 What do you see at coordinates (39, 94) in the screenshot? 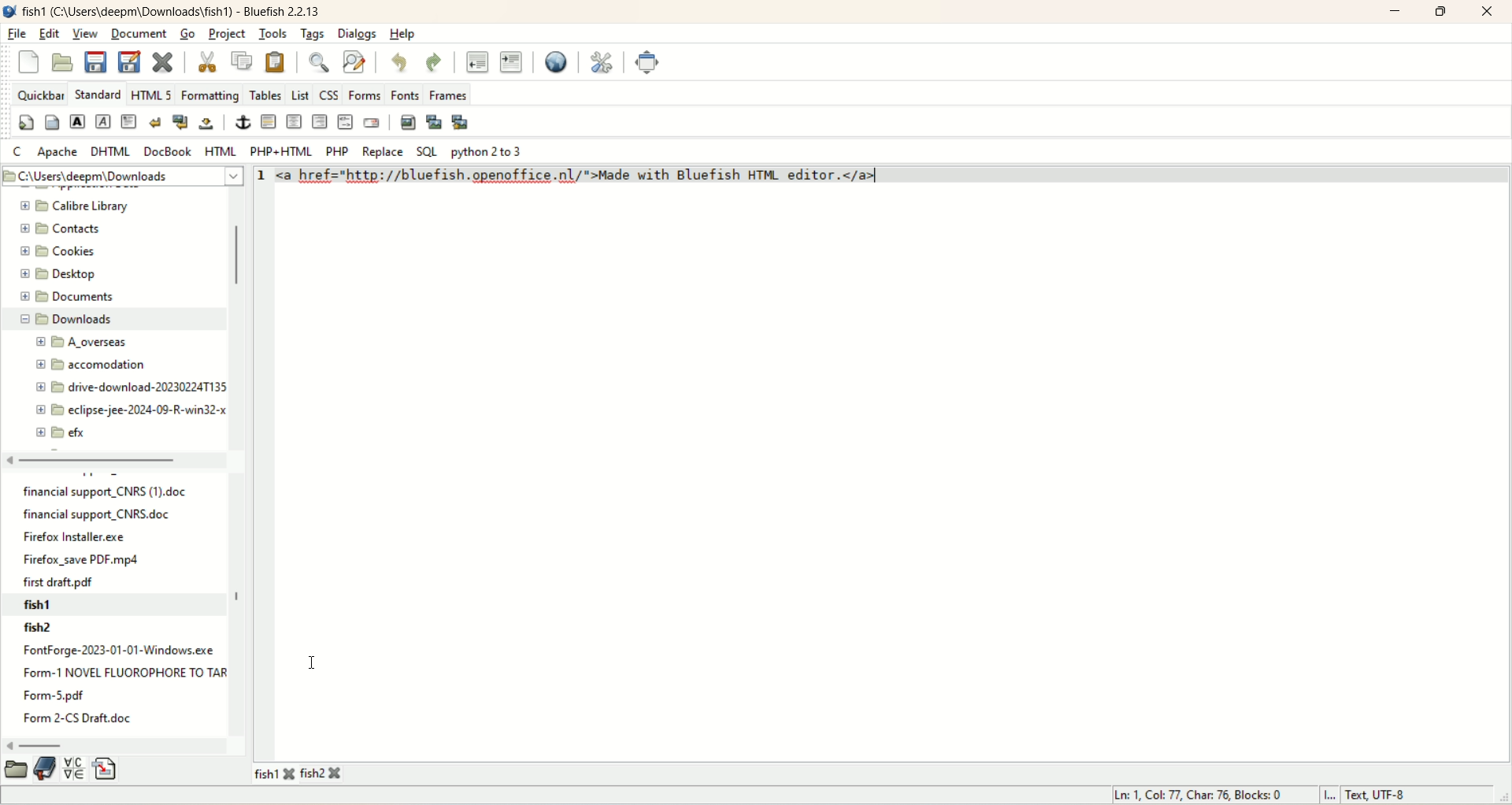
I see `quickbar` at bounding box center [39, 94].